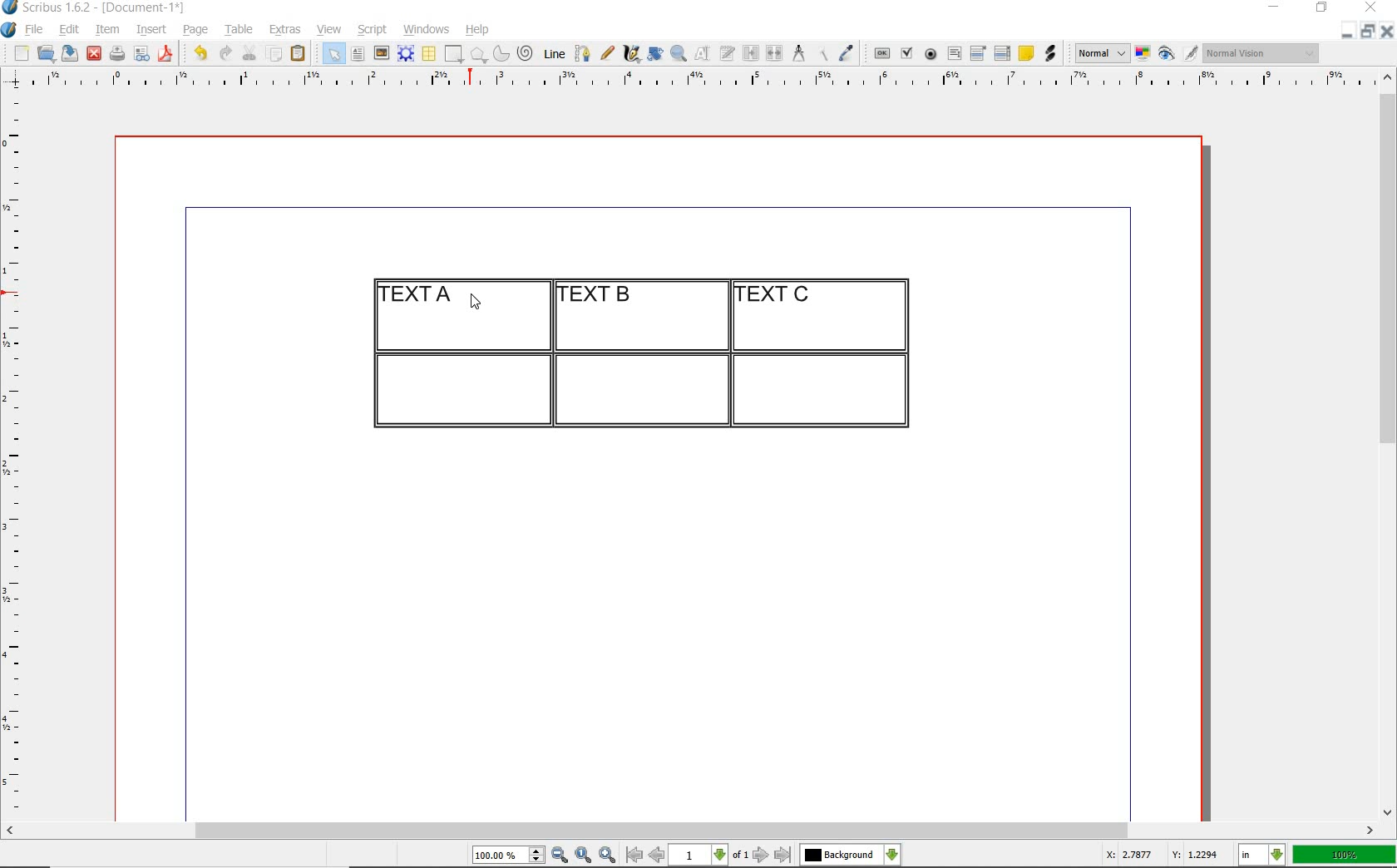 Image resolution: width=1397 pixels, height=868 pixels. I want to click on link annotation, so click(1052, 53).